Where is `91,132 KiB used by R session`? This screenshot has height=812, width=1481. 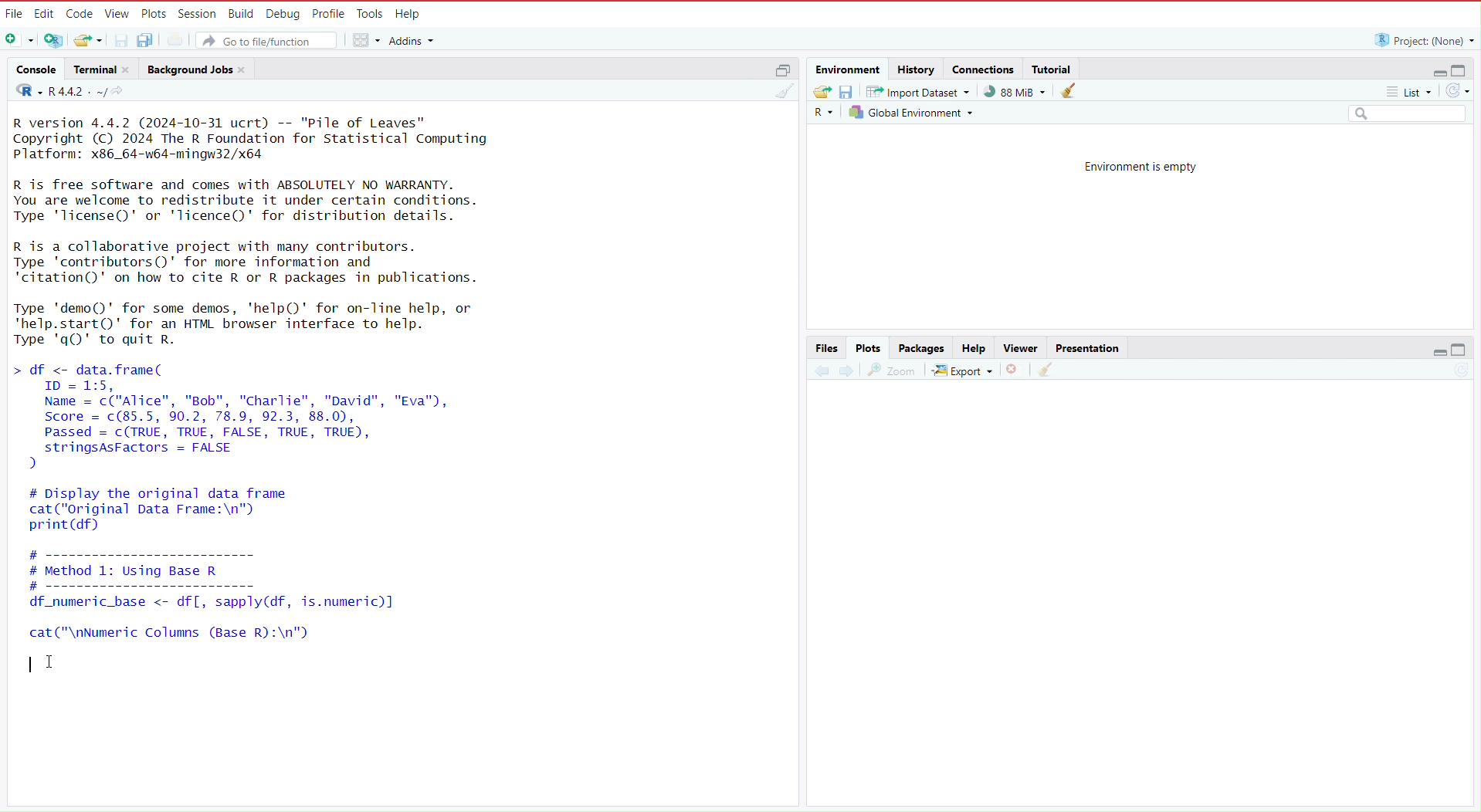
91,132 KiB used by R session is located at coordinates (1016, 92).